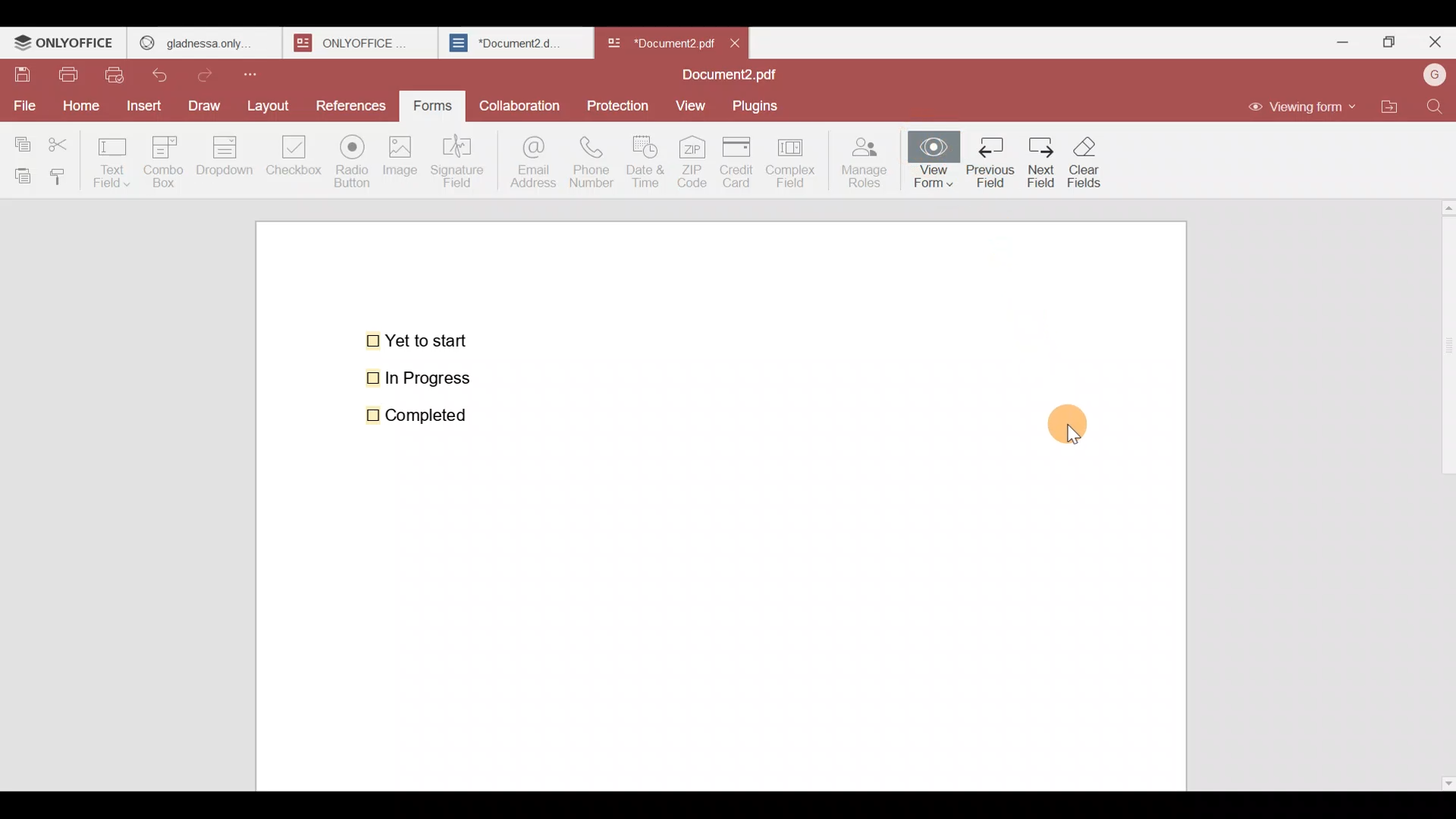 Image resolution: width=1456 pixels, height=819 pixels. Describe the element at coordinates (761, 106) in the screenshot. I see `Plugins` at that location.